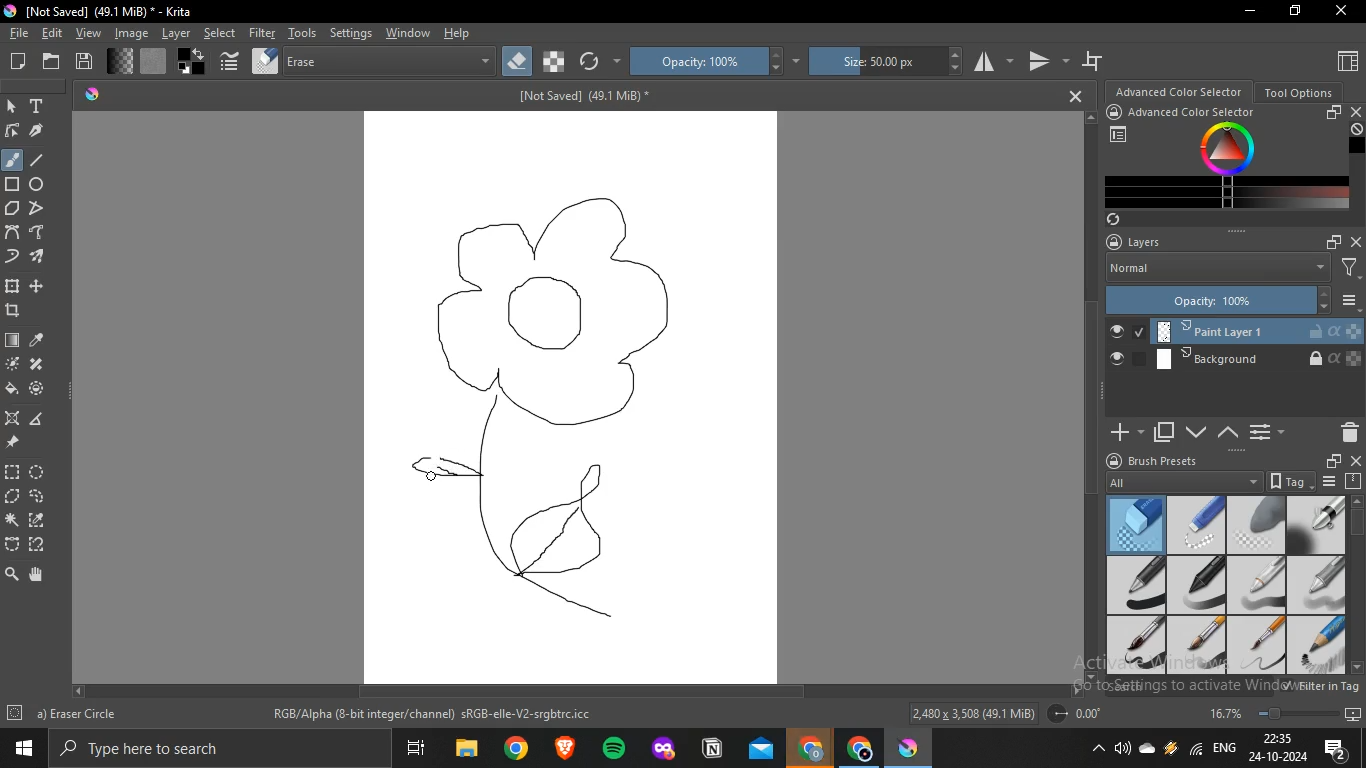 The height and width of the screenshot is (768, 1366). What do you see at coordinates (122, 62) in the screenshot?
I see `fill gradients` at bounding box center [122, 62].